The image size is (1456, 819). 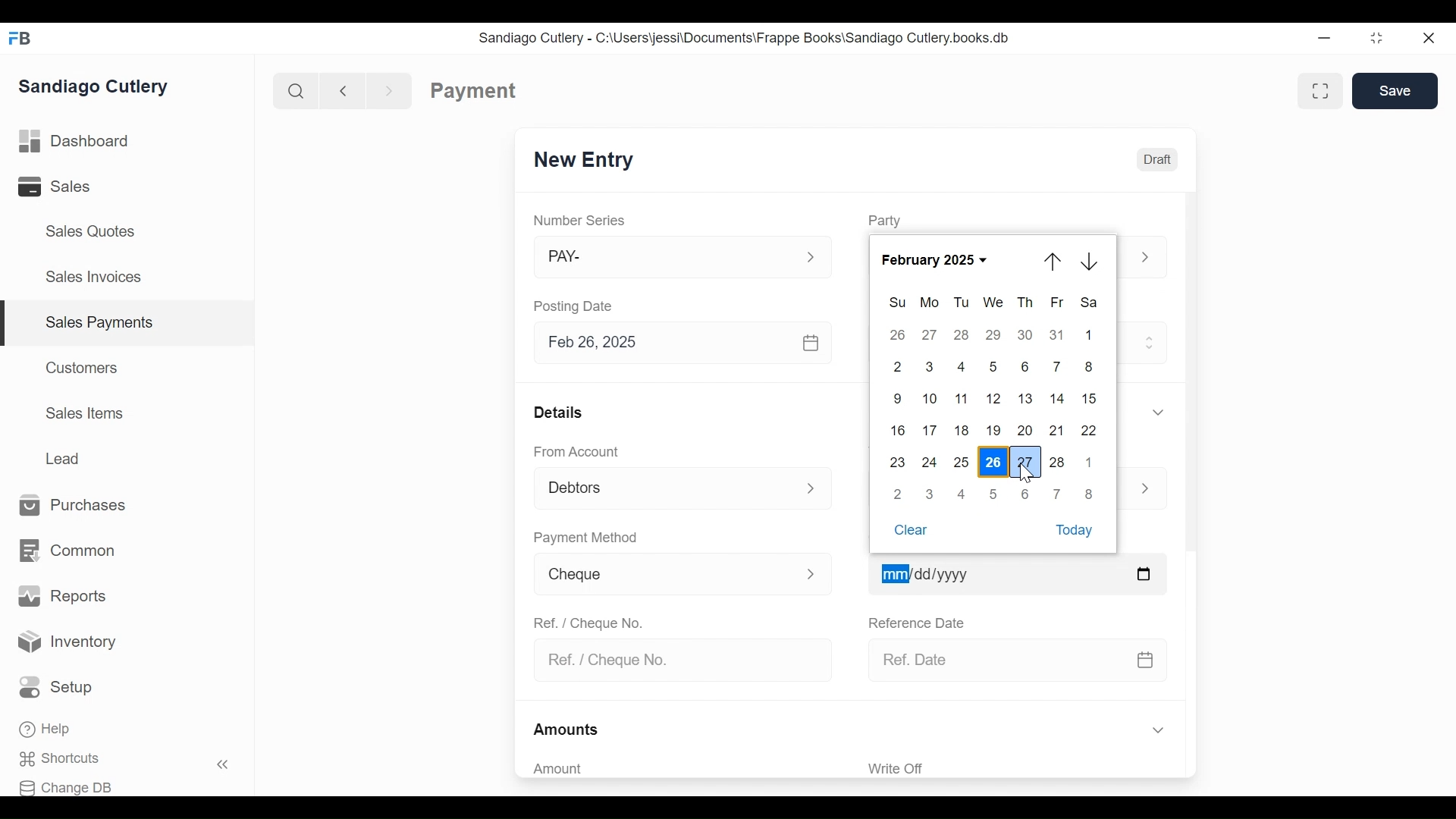 What do you see at coordinates (1058, 303) in the screenshot?
I see `Fr` at bounding box center [1058, 303].